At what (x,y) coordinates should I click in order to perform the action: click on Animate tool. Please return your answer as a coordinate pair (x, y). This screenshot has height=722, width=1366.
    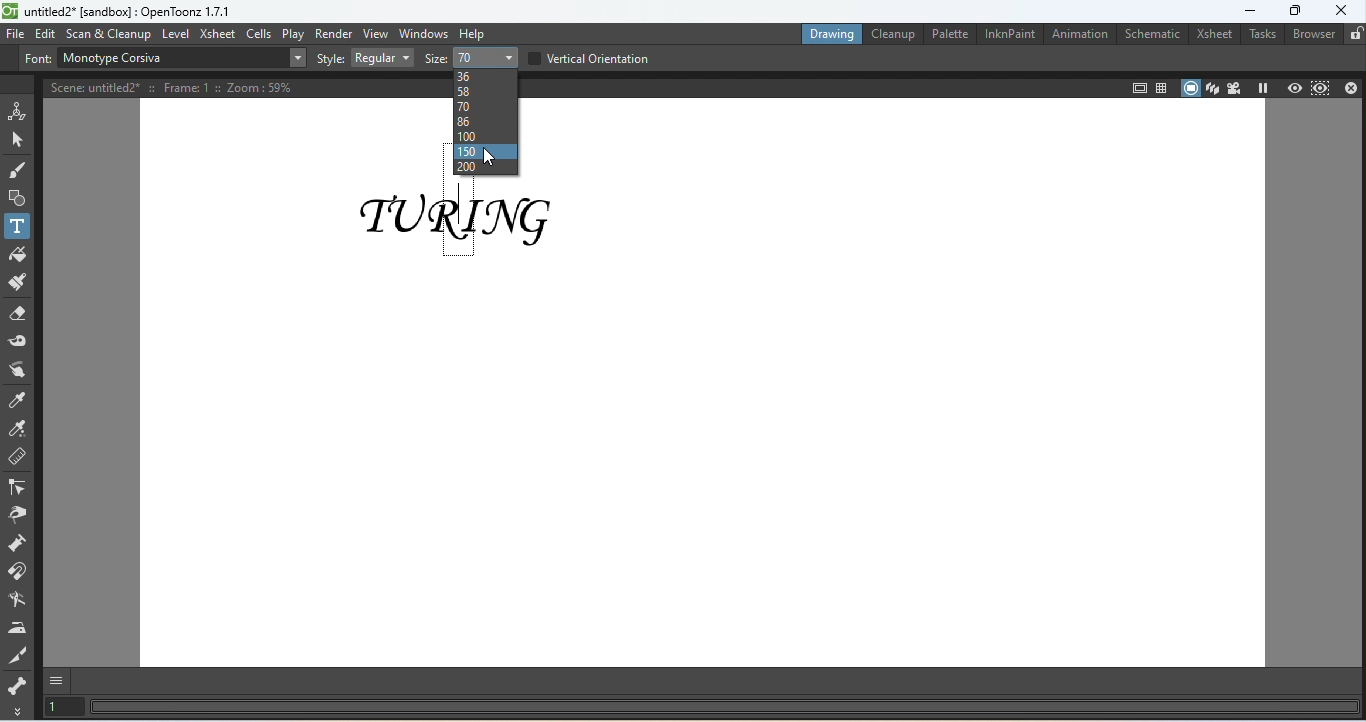
    Looking at the image, I should click on (18, 109).